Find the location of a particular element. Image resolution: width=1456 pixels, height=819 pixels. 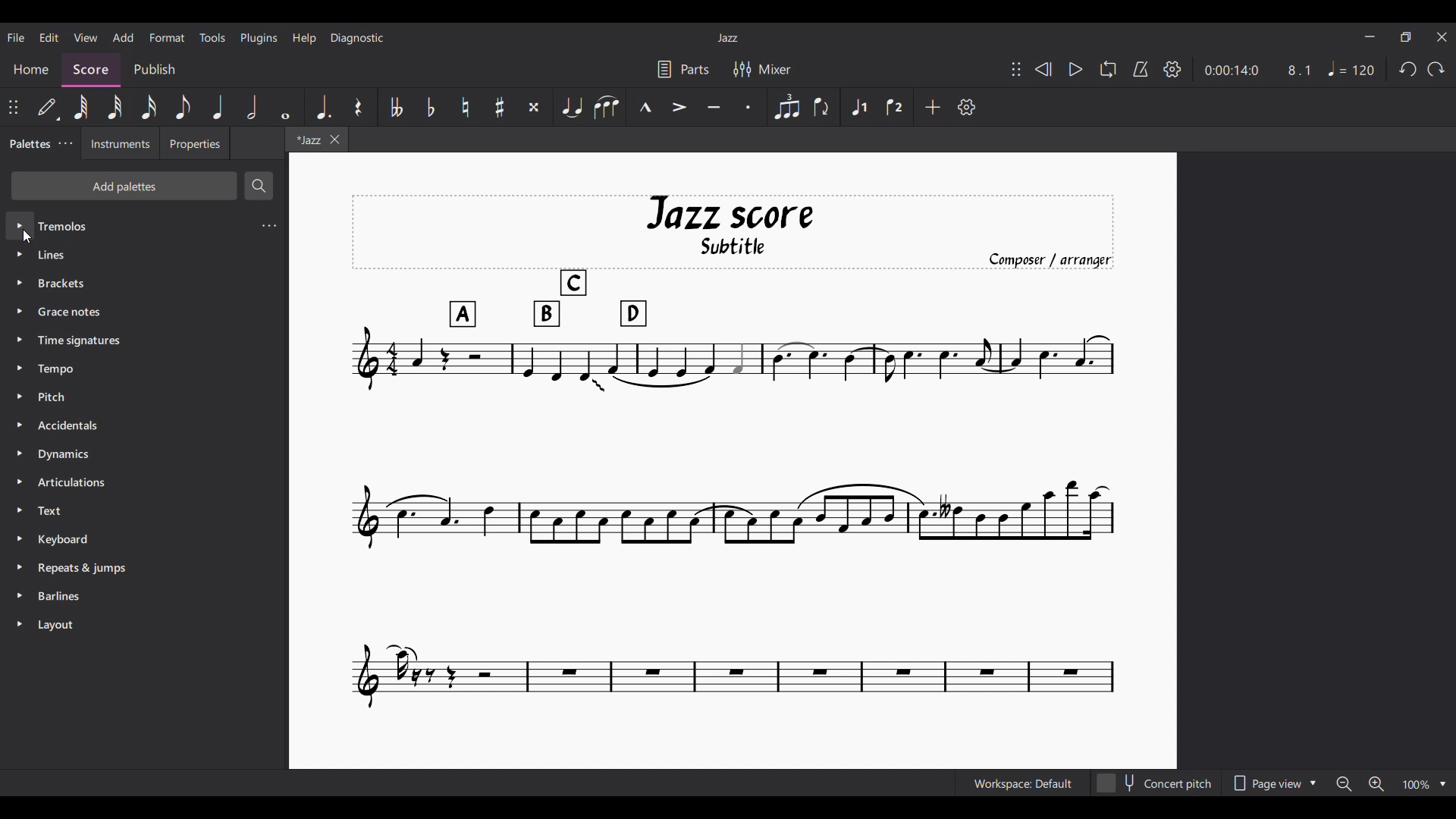

Tremolos is located at coordinates (130, 224).